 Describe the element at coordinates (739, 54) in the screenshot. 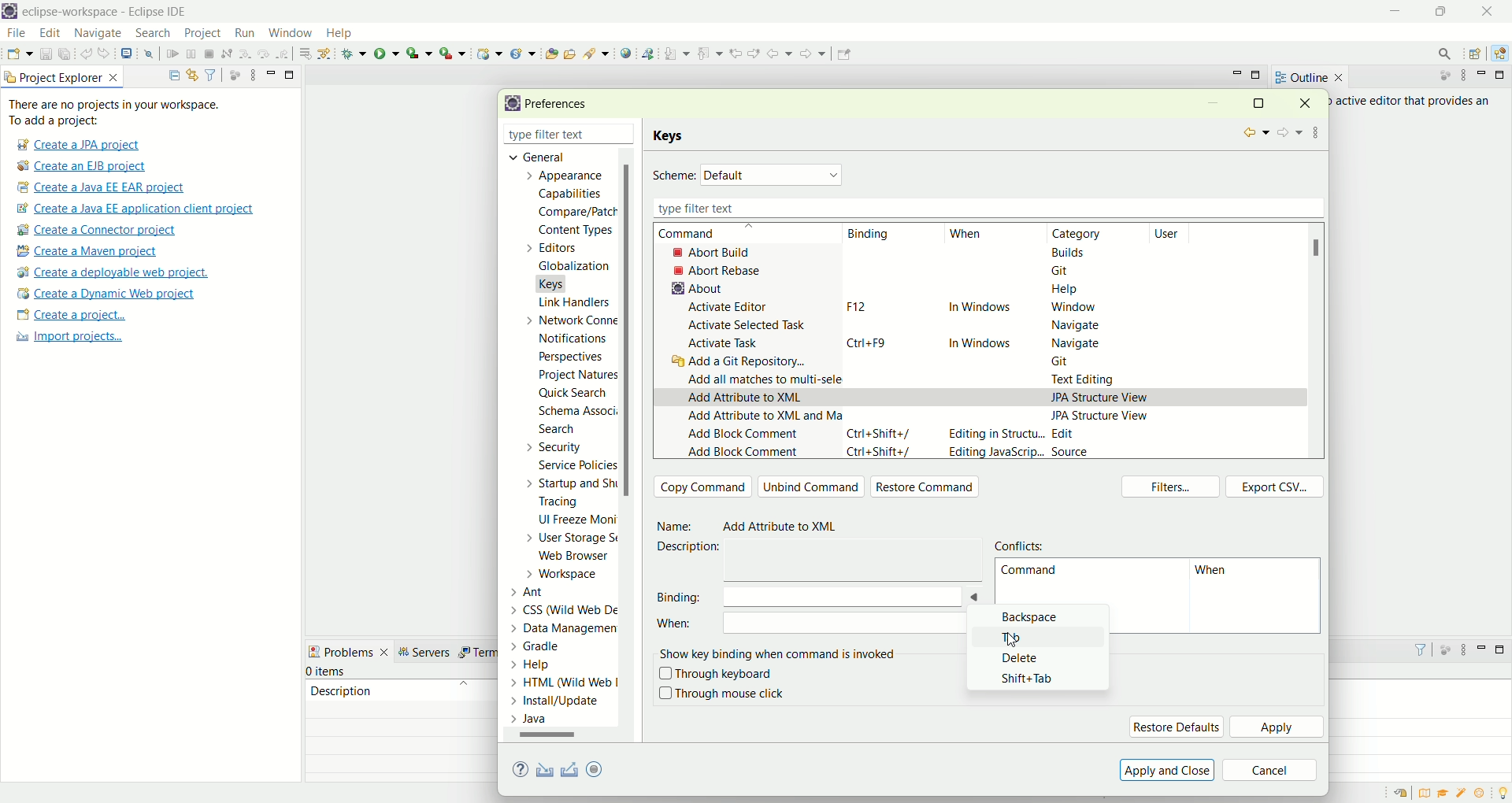

I see `previous edit location` at that location.